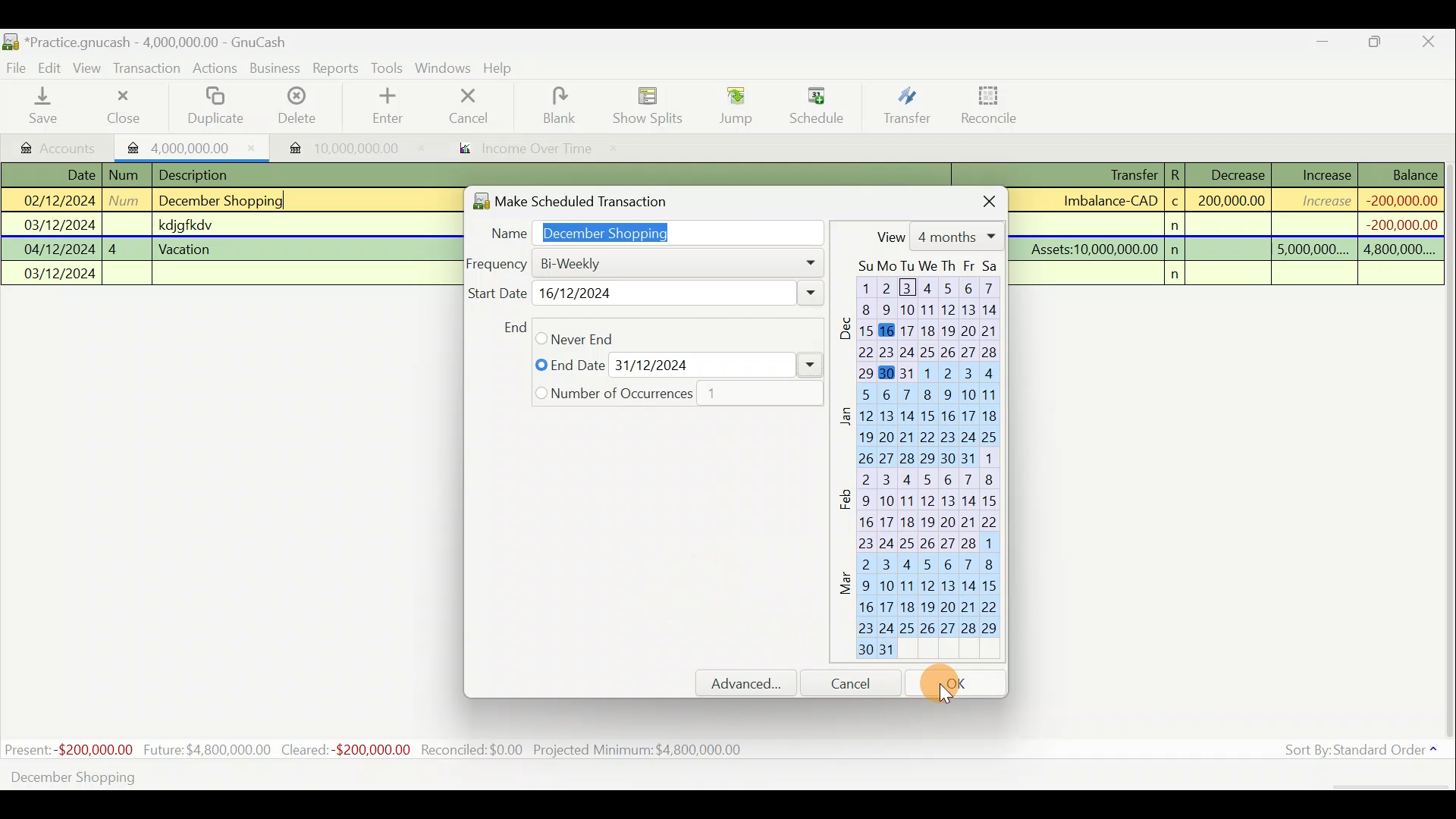  I want to click on Edit, so click(52, 67).